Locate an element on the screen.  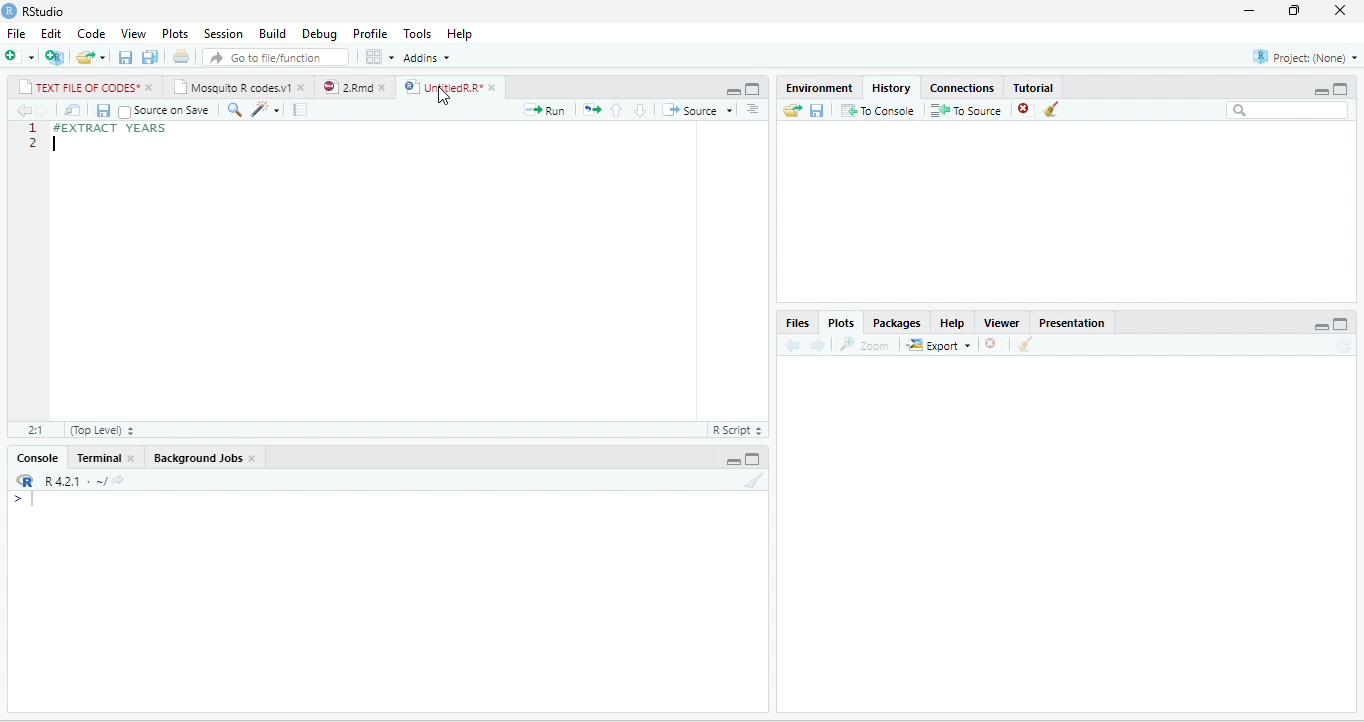
R Script is located at coordinates (736, 429).